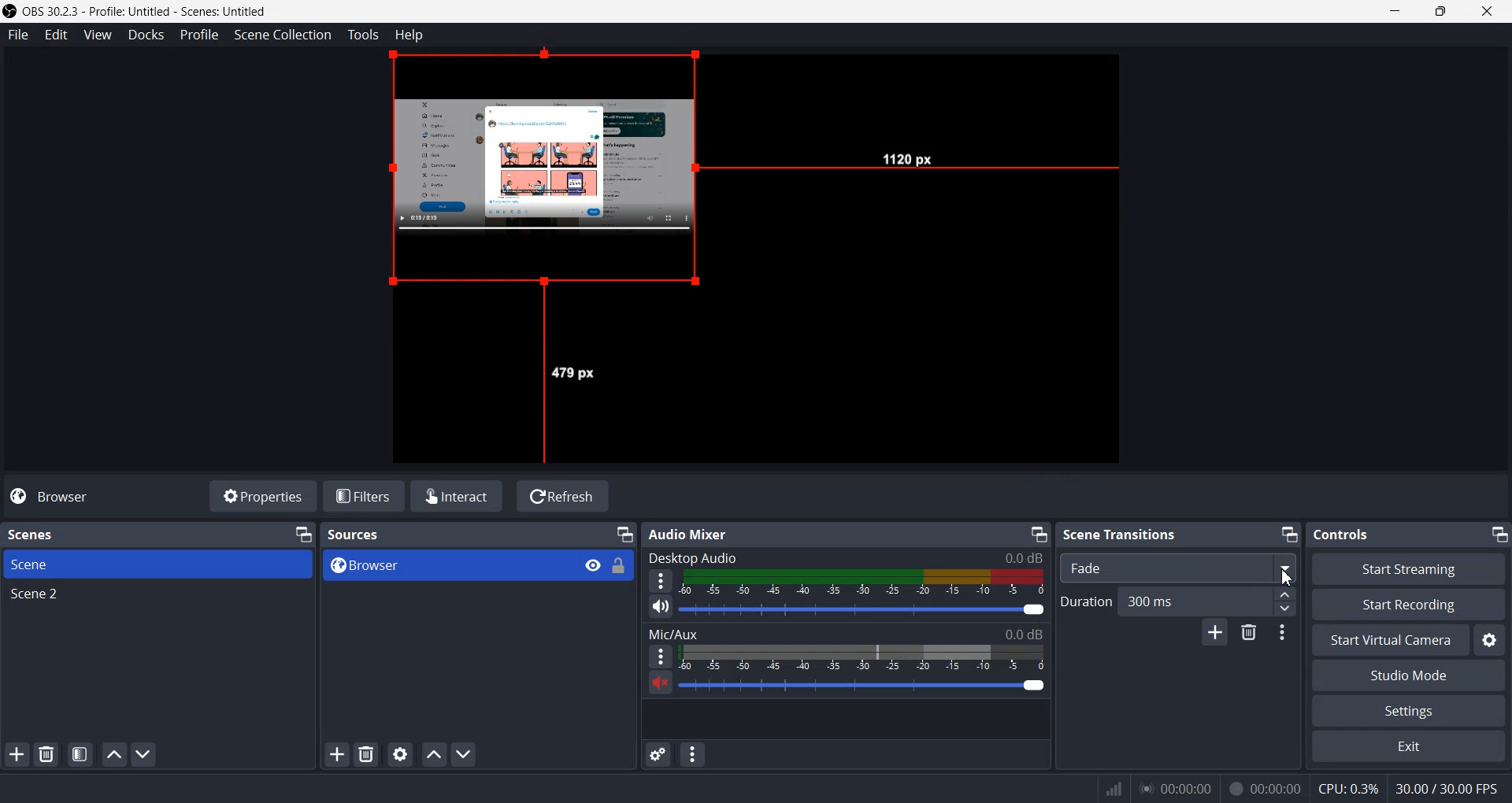 This screenshot has width=1512, height=803. I want to click on Minimize, so click(1499, 535).